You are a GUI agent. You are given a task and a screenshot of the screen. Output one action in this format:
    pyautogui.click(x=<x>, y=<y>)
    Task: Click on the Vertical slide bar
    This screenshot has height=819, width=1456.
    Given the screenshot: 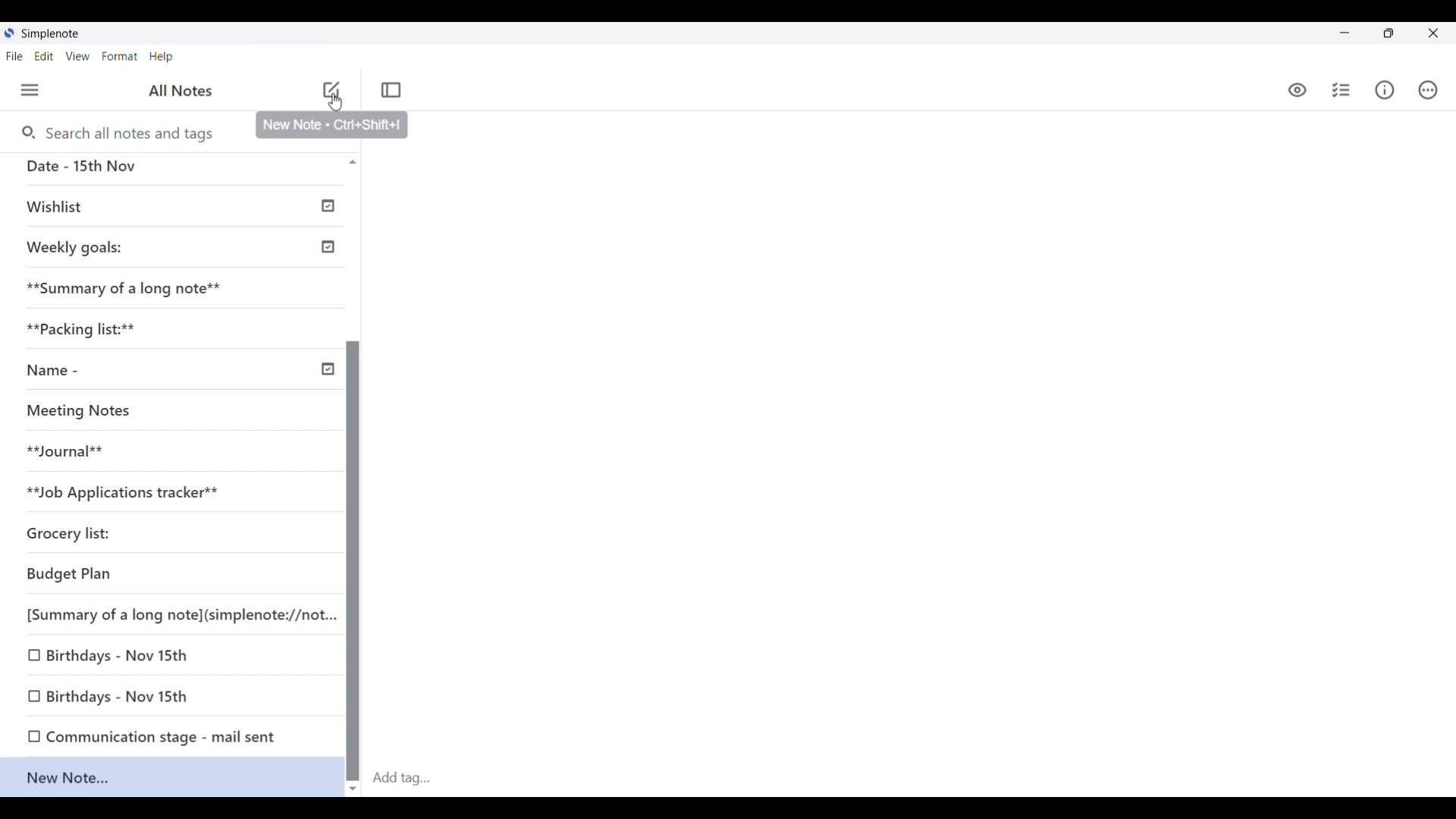 What is the action you would take?
    pyautogui.click(x=352, y=561)
    